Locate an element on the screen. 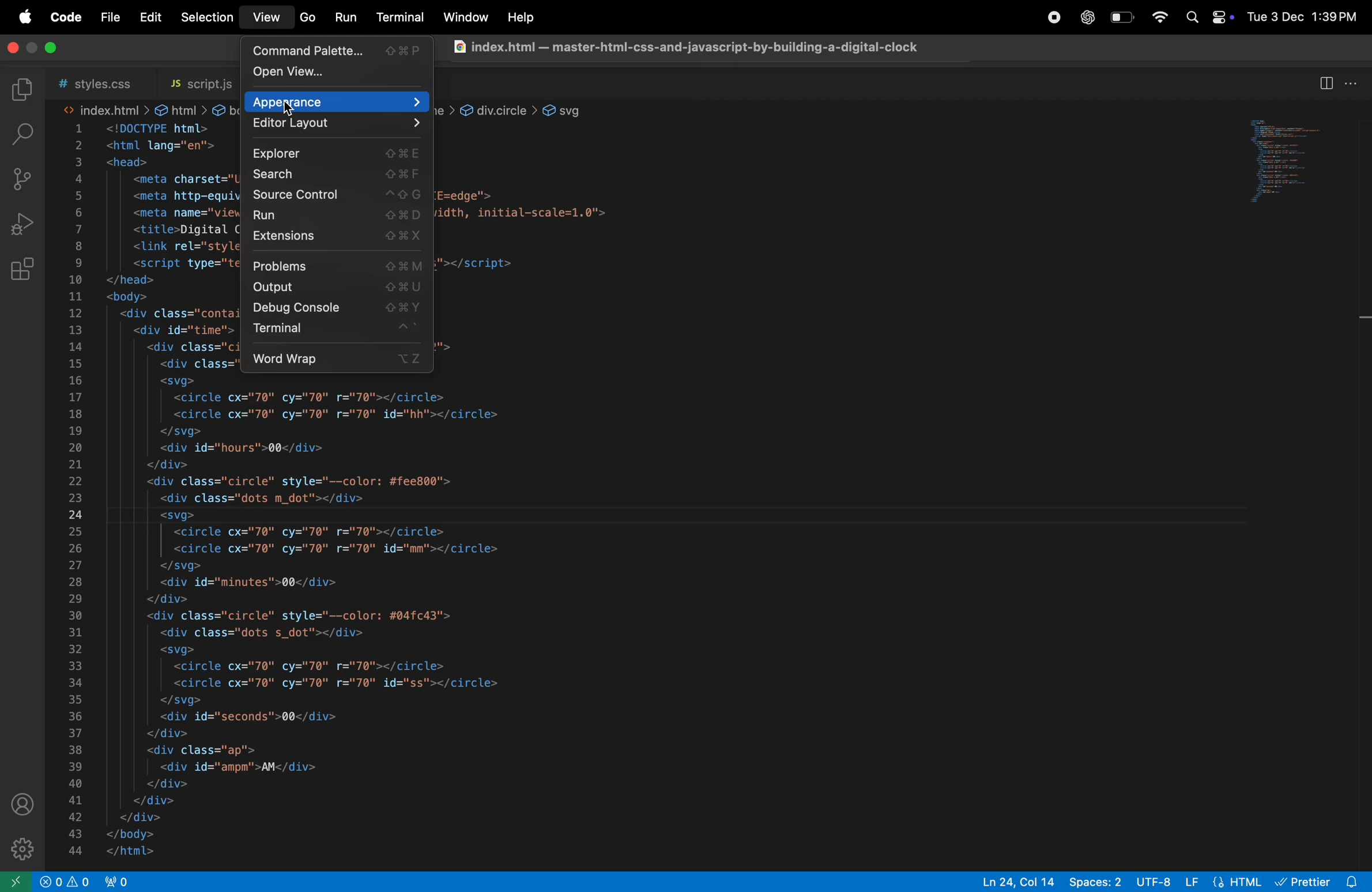 Image resolution: width=1372 pixels, height=892 pixels. svg is located at coordinates (570, 114).